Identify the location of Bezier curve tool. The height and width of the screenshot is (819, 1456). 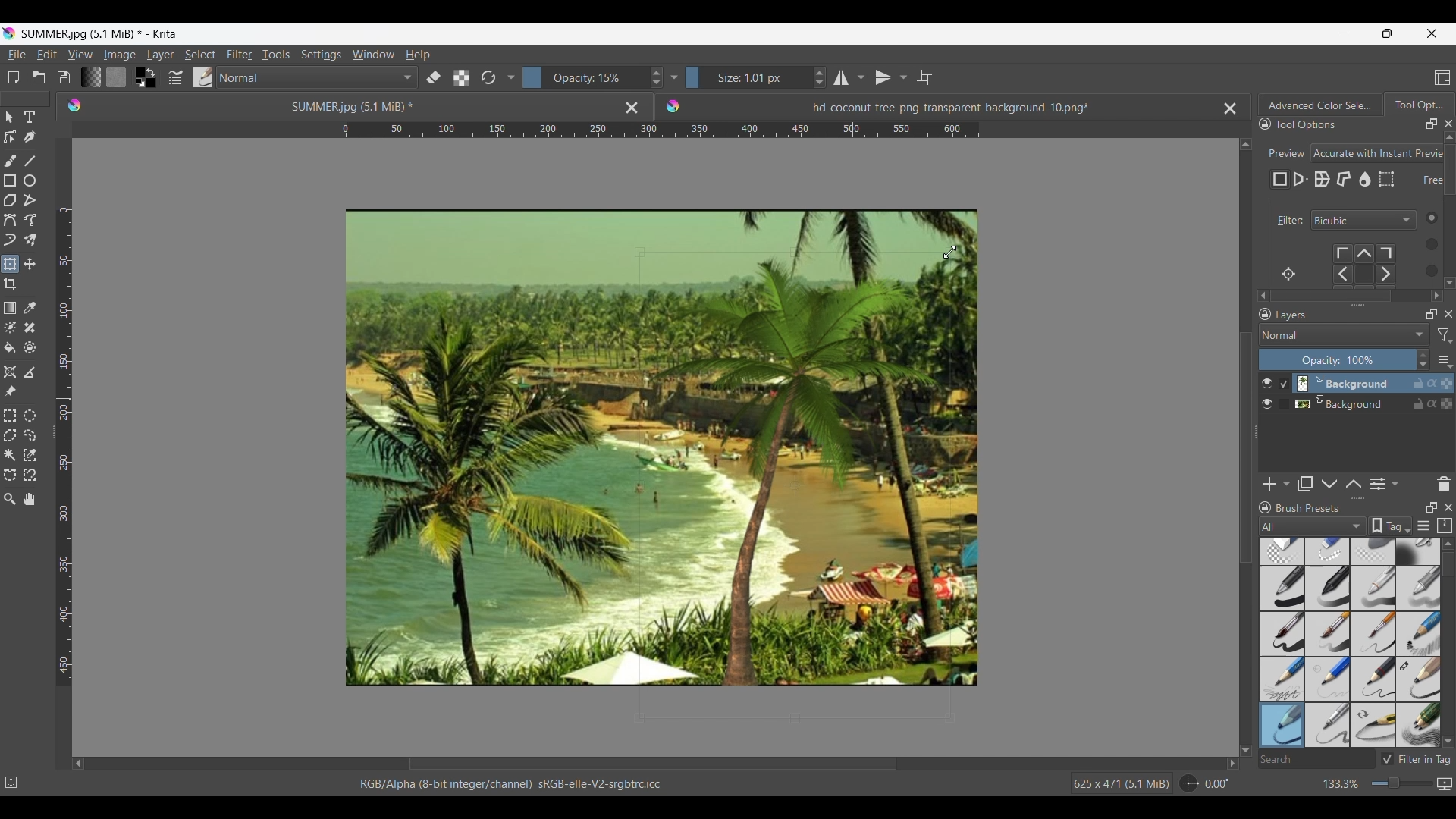
(10, 220).